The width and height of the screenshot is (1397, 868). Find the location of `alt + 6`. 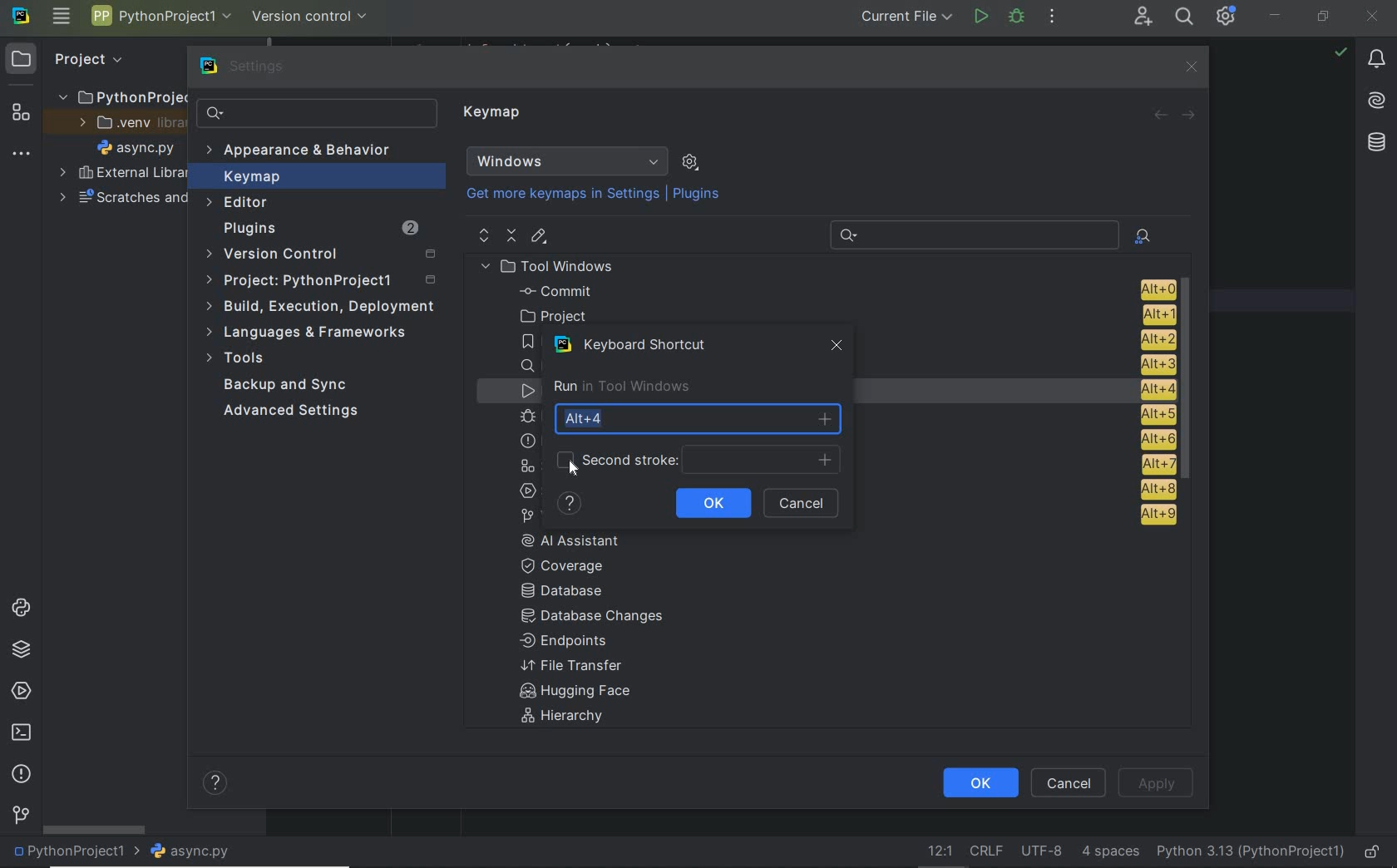

alt + 6 is located at coordinates (1156, 440).